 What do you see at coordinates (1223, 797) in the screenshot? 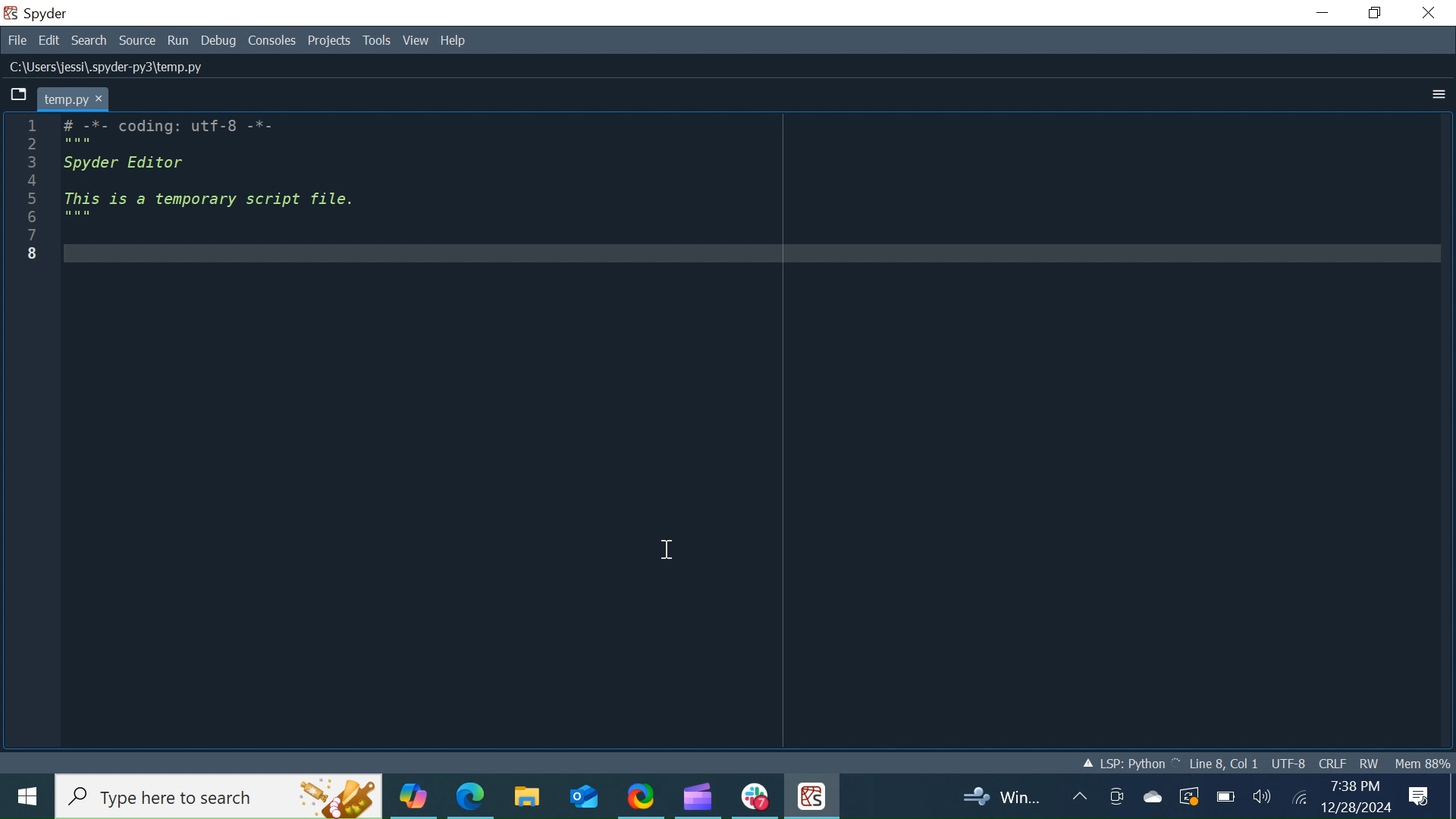
I see `Charge` at bounding box center [1223, 797].